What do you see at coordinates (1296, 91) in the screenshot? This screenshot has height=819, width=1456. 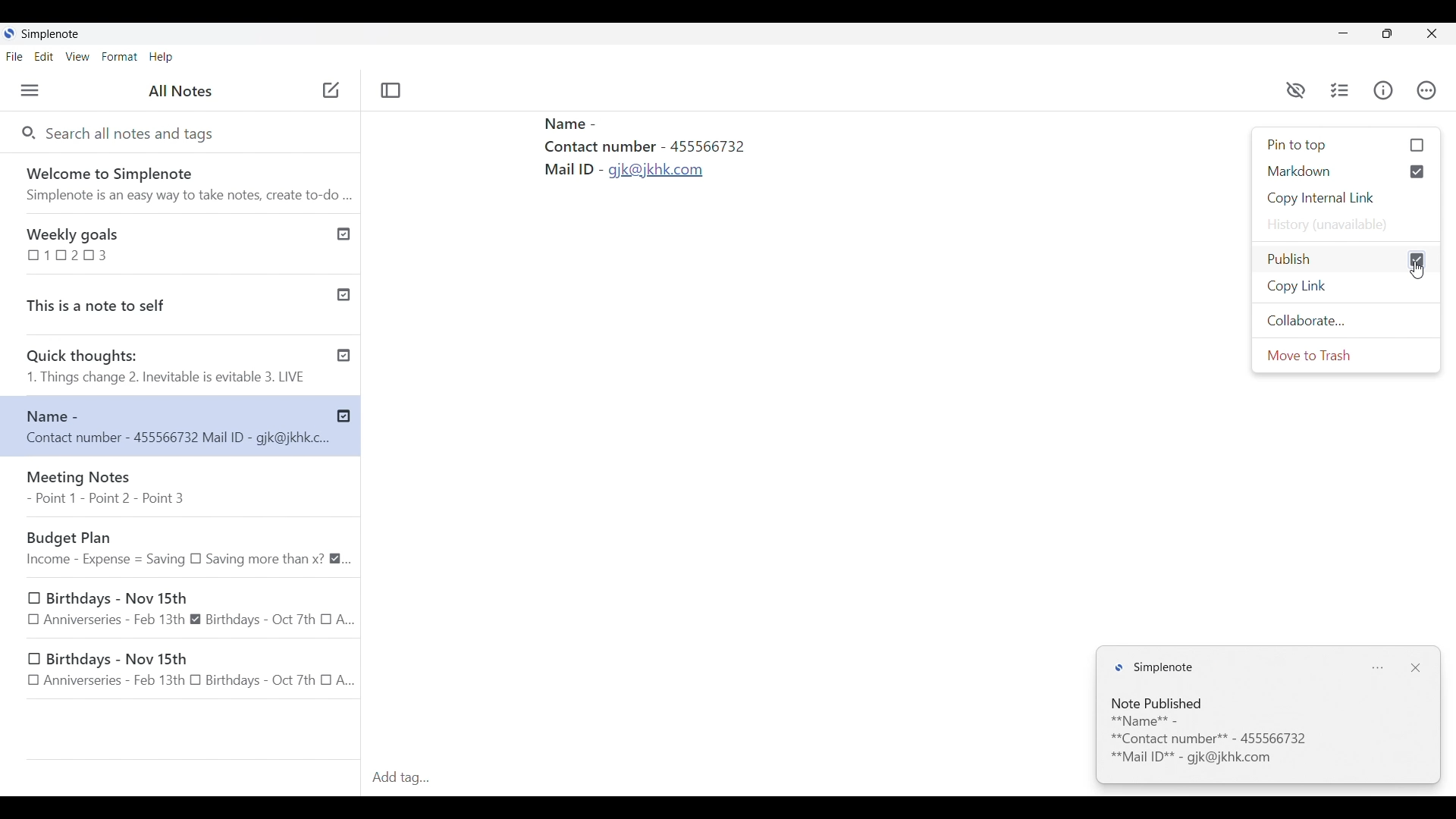 I see `preview` at bounding box center [1296, 91].